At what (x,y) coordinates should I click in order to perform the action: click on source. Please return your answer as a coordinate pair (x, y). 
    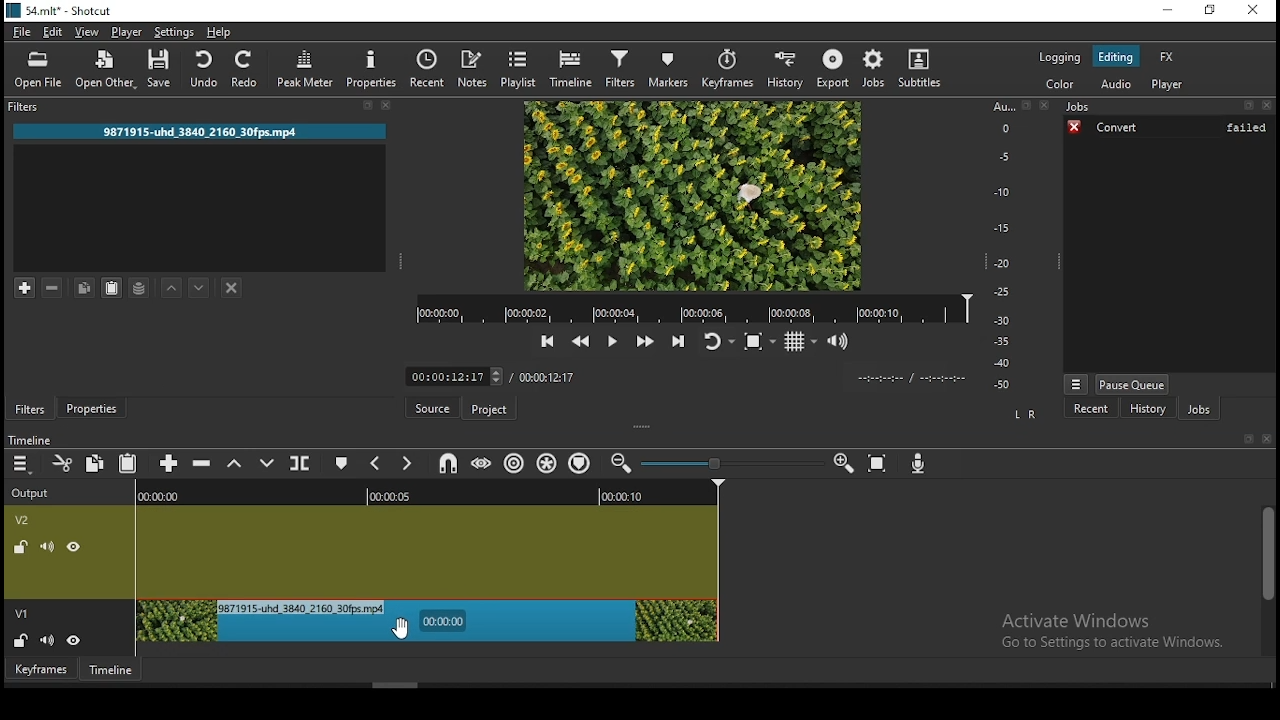
    Looking at the image, I should click on (433, 408).